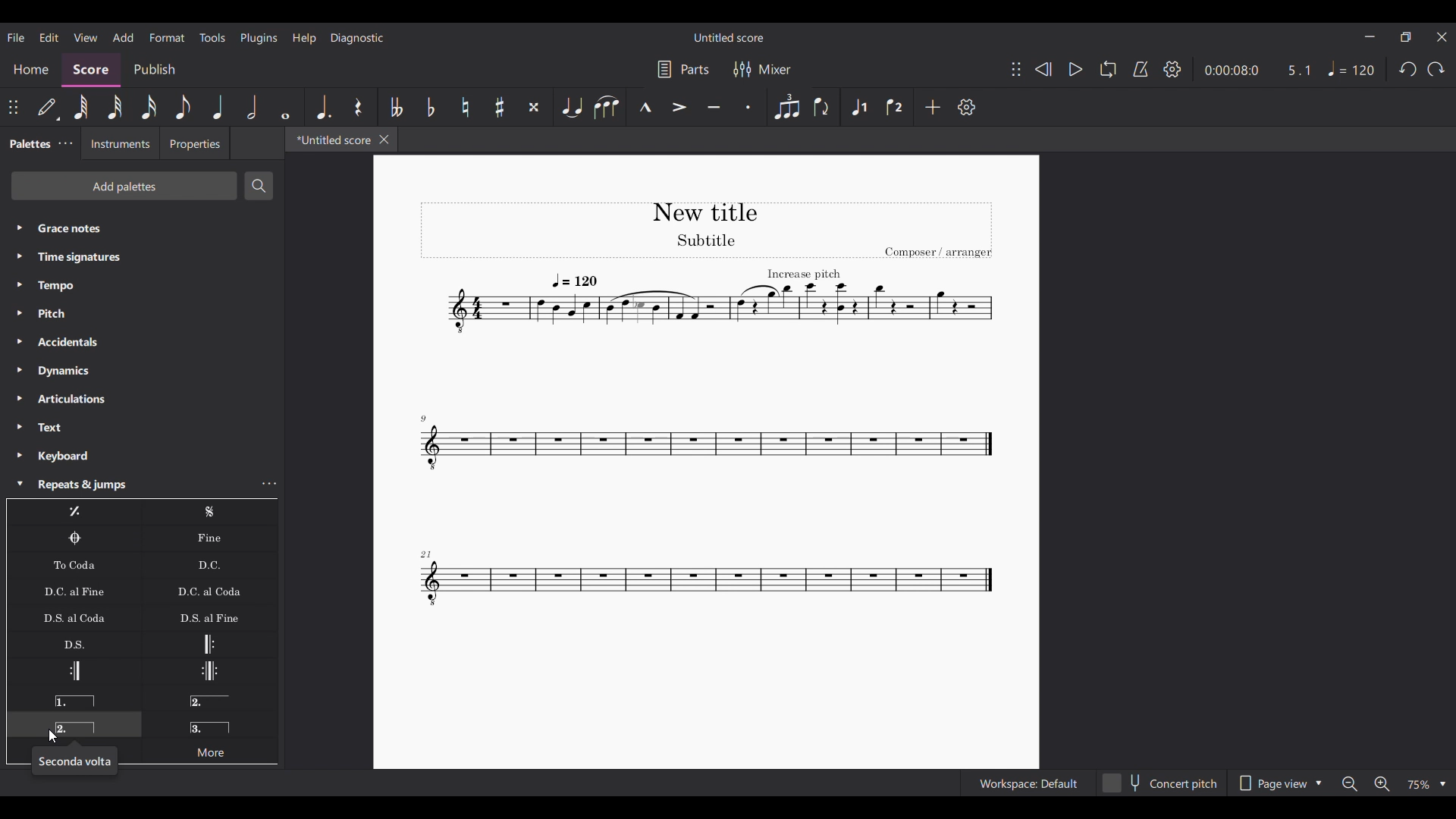  What do you see at coordinates (323, 107) in the screenshot?
I see `Augmentation dot` at bounding box center [323, 107].